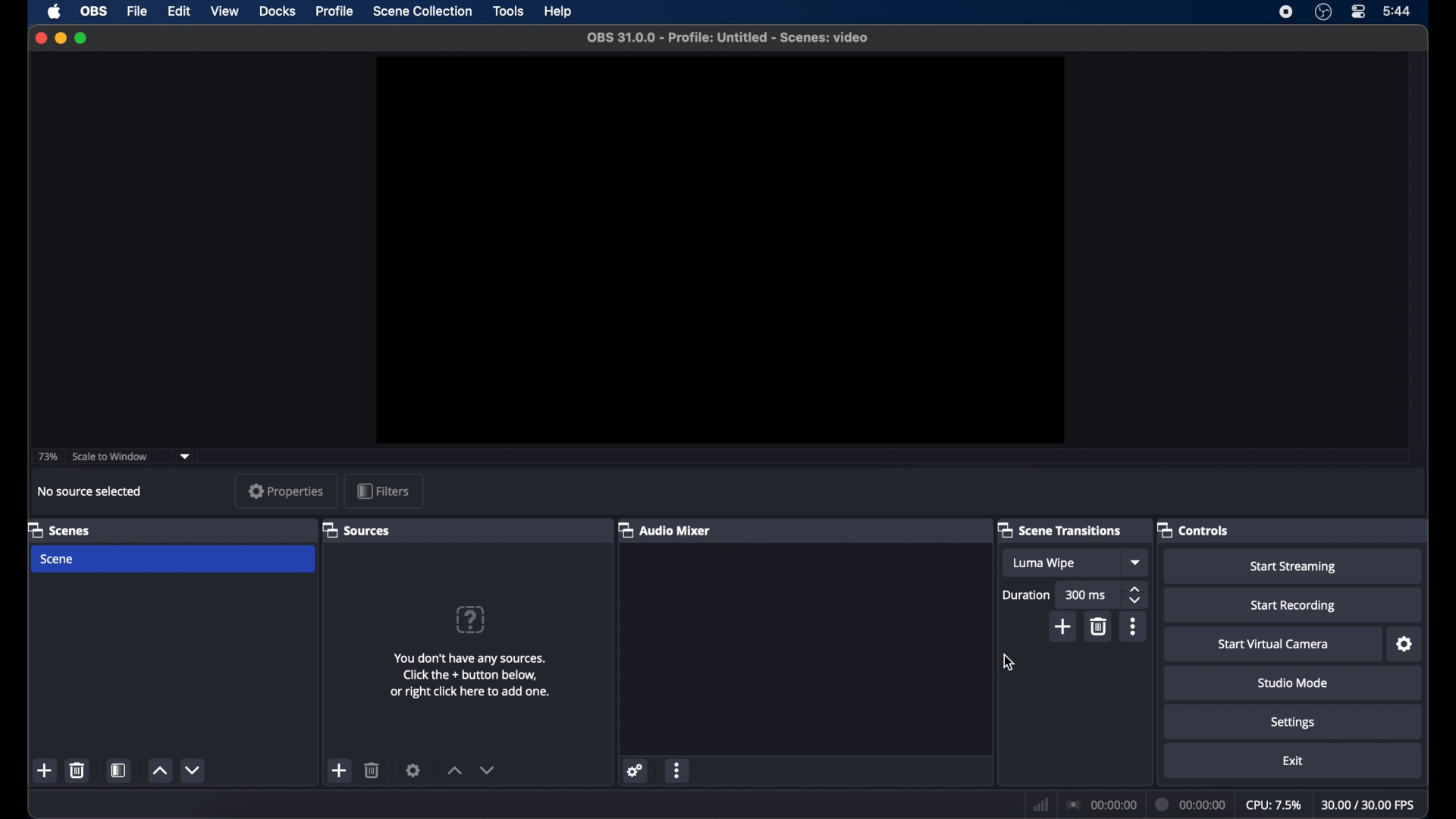  I want to click on 73%, so click(47, 457).